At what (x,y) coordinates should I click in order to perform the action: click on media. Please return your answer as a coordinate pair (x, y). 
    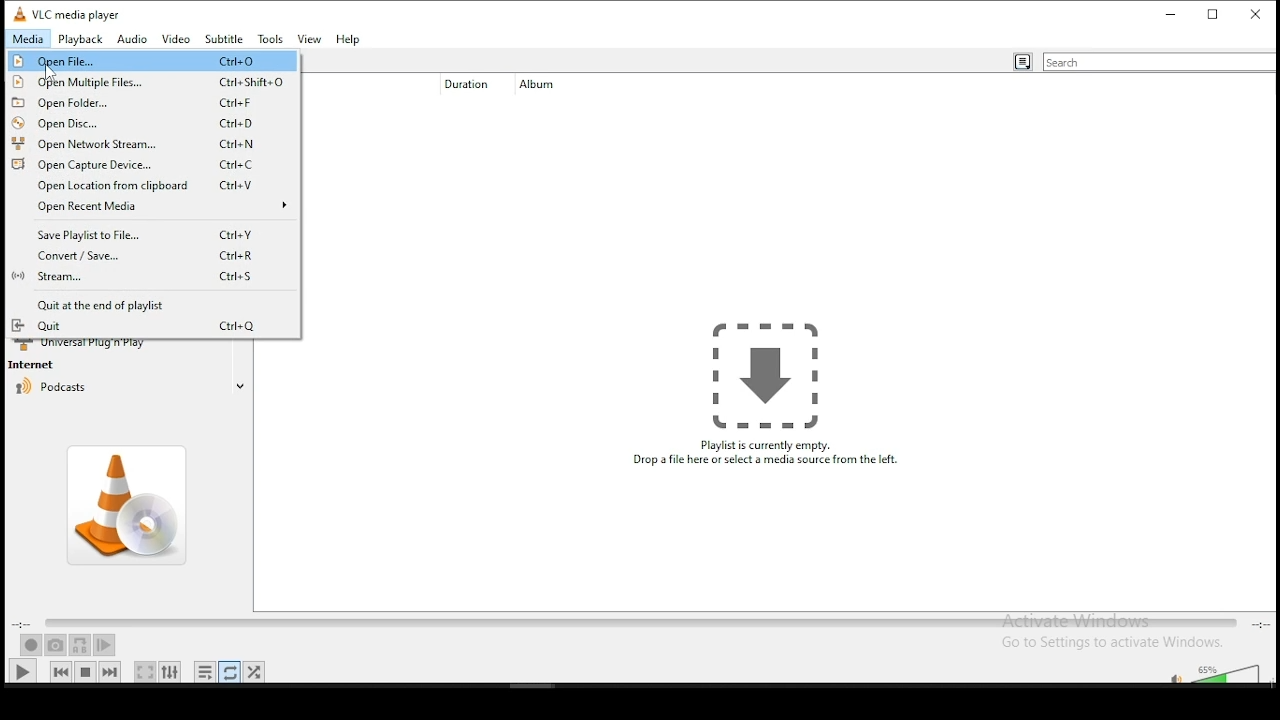
    Looking at the image, I should click on (24, 40).